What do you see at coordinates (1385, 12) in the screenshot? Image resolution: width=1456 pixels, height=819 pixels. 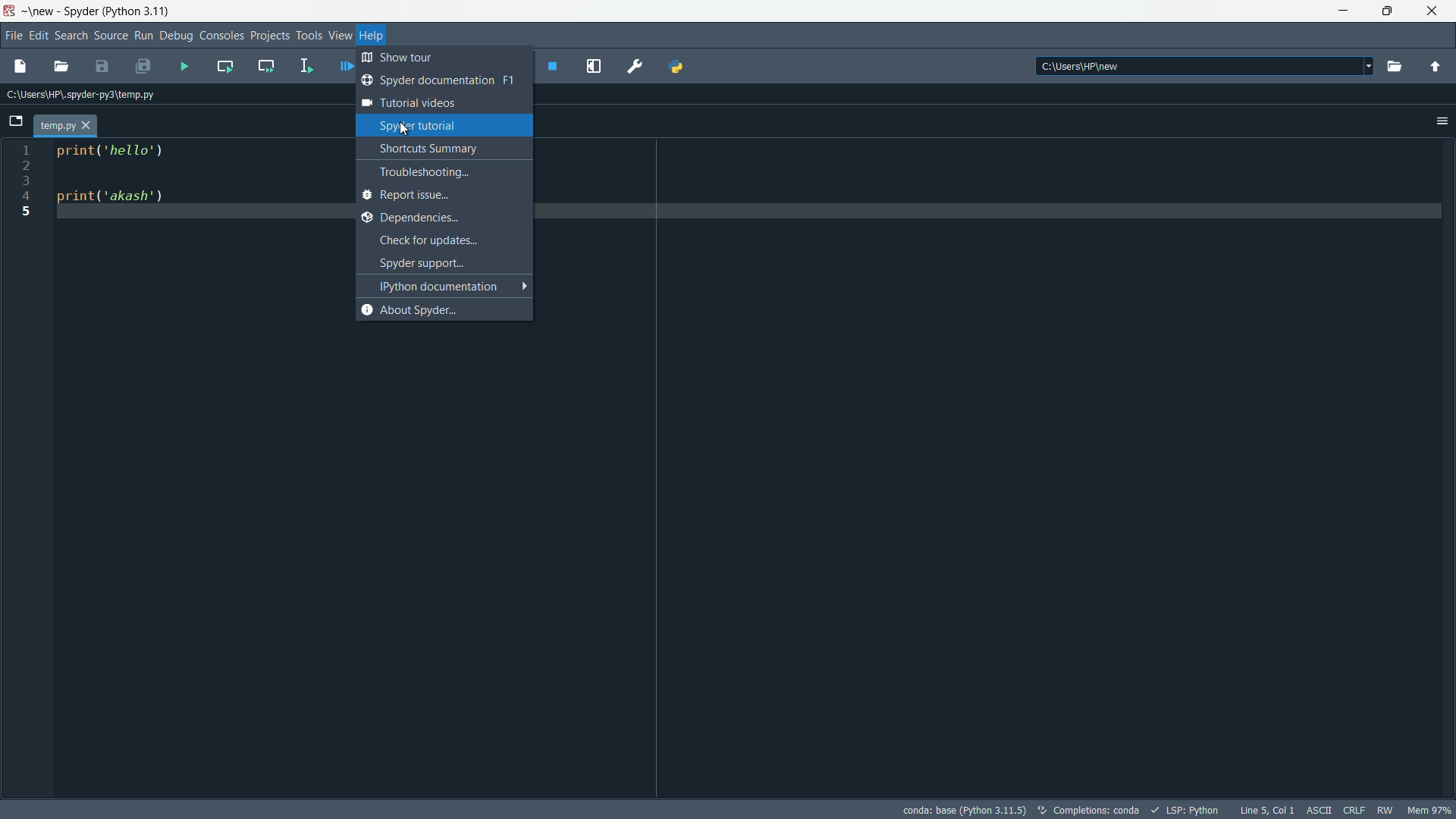 I see `maximize` at bounding box center [1385, 12].